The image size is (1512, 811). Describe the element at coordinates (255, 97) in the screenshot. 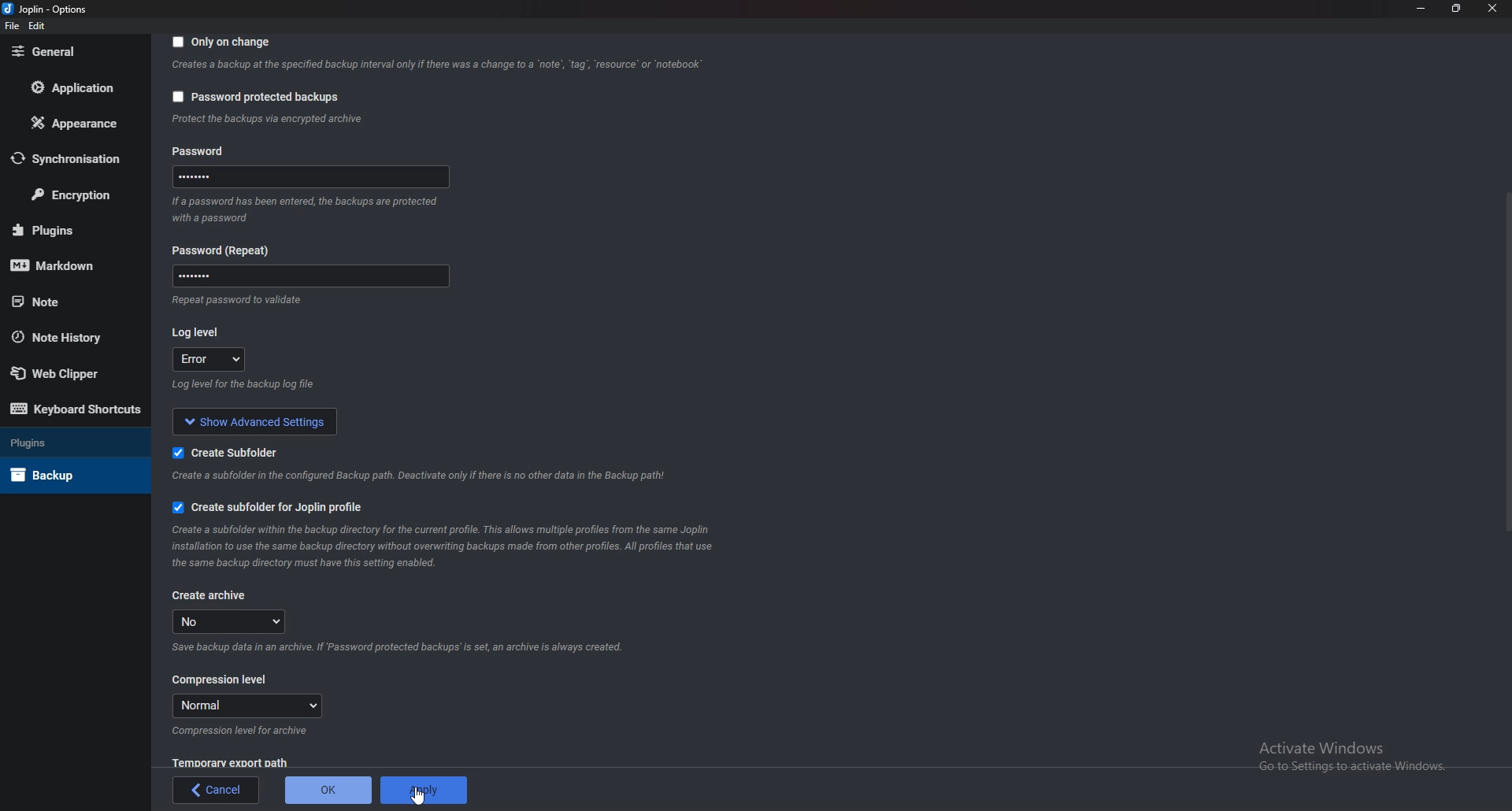

I see `Password protected backups` at that location.